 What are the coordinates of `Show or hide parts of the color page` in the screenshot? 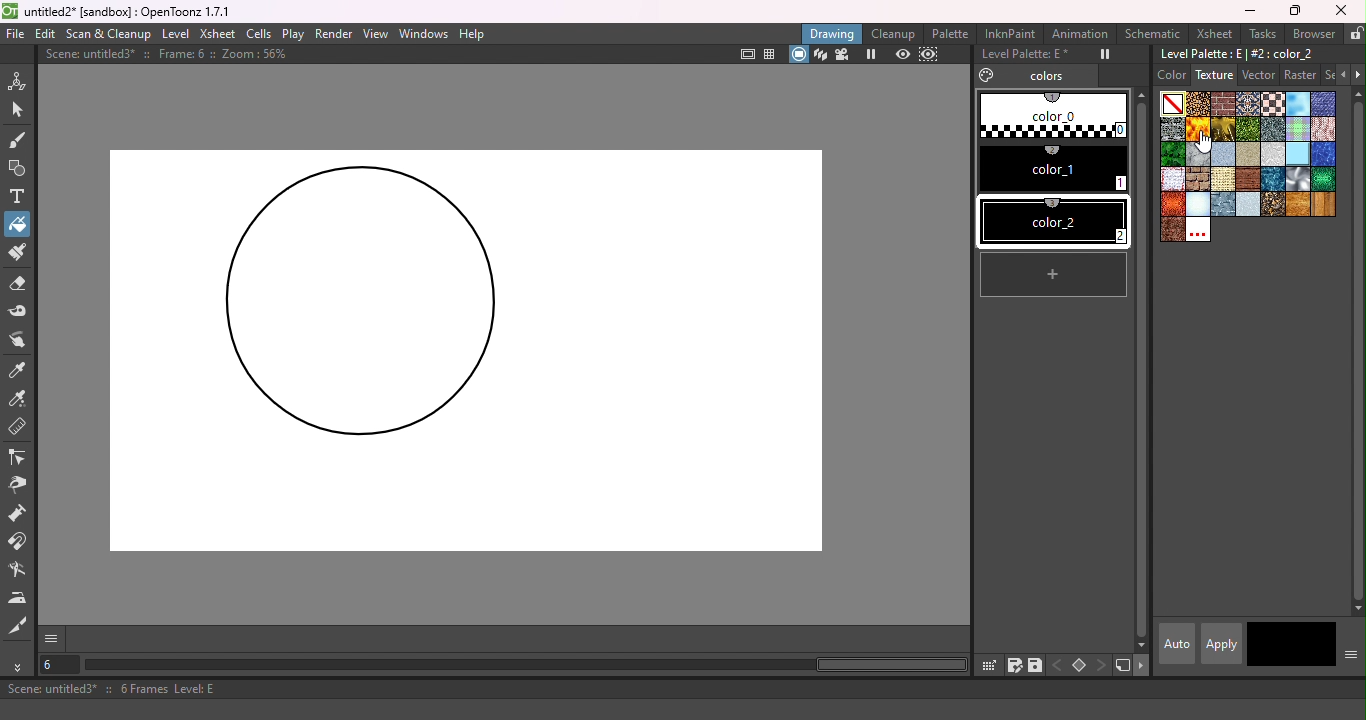 It's located at (1349, 658).